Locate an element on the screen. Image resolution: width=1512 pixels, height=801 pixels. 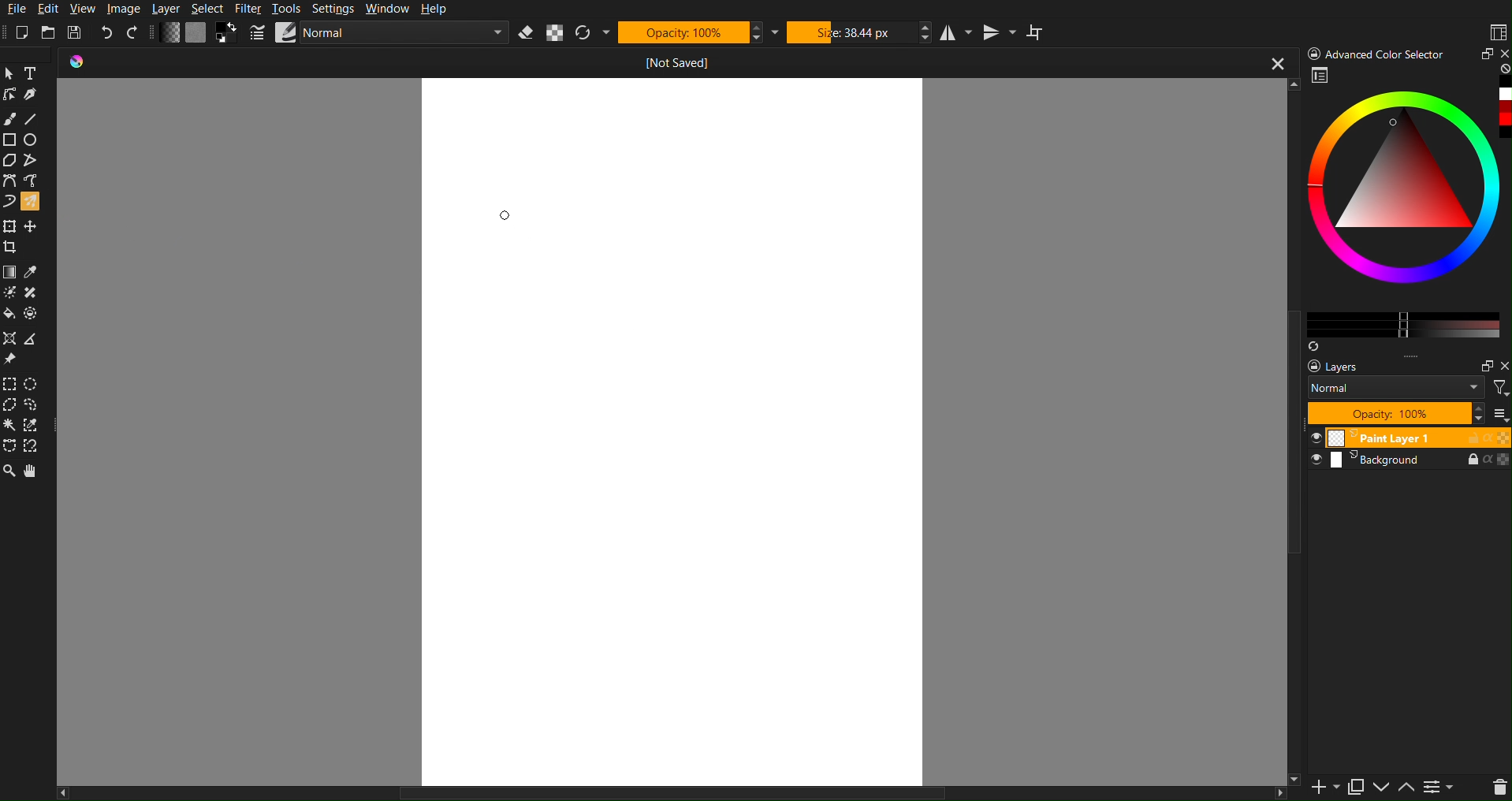
Brush Options is located at coordinates (404, 34).